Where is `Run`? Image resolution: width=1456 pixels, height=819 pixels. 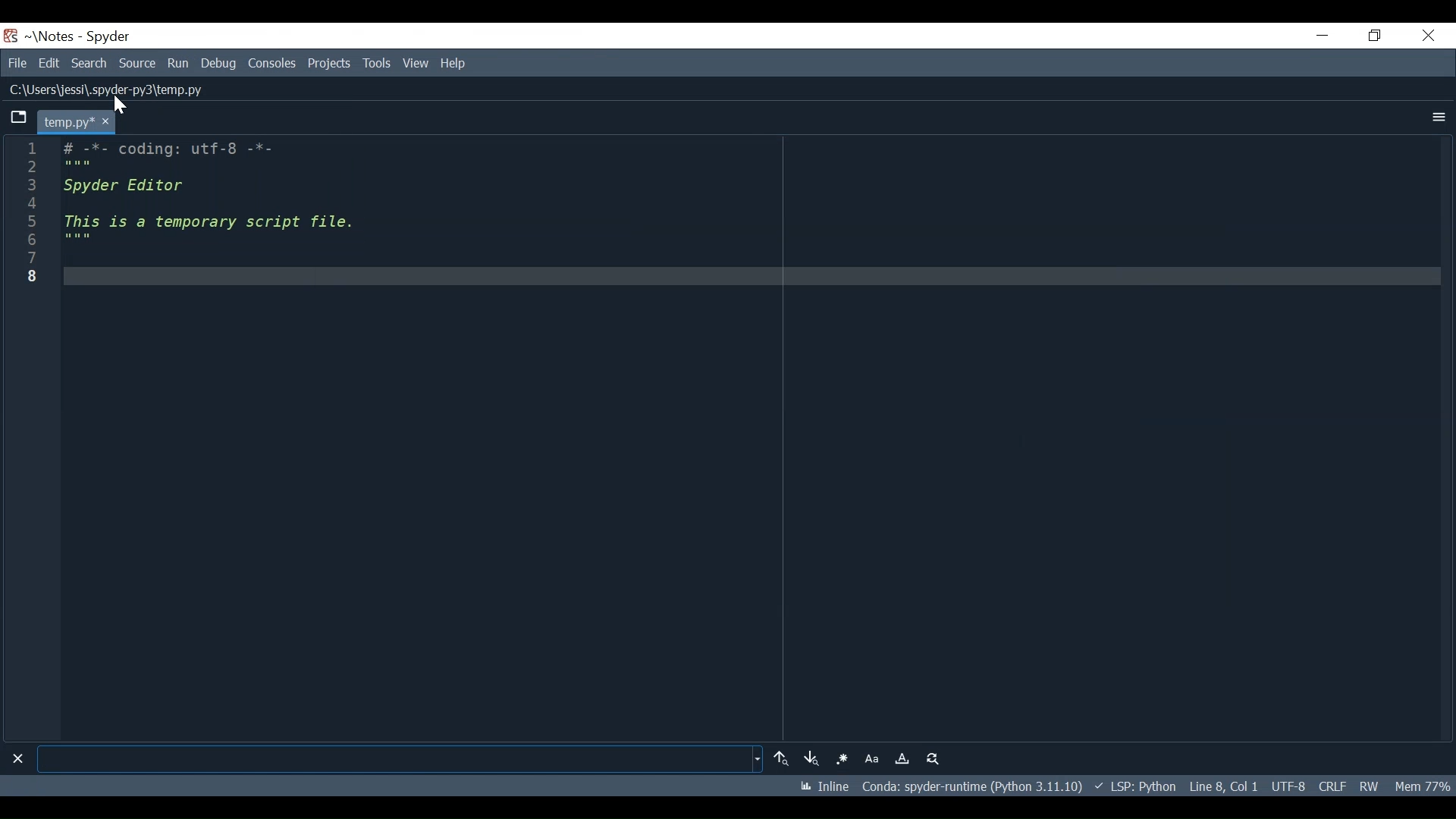 Run is located at coordinates (181, 63).